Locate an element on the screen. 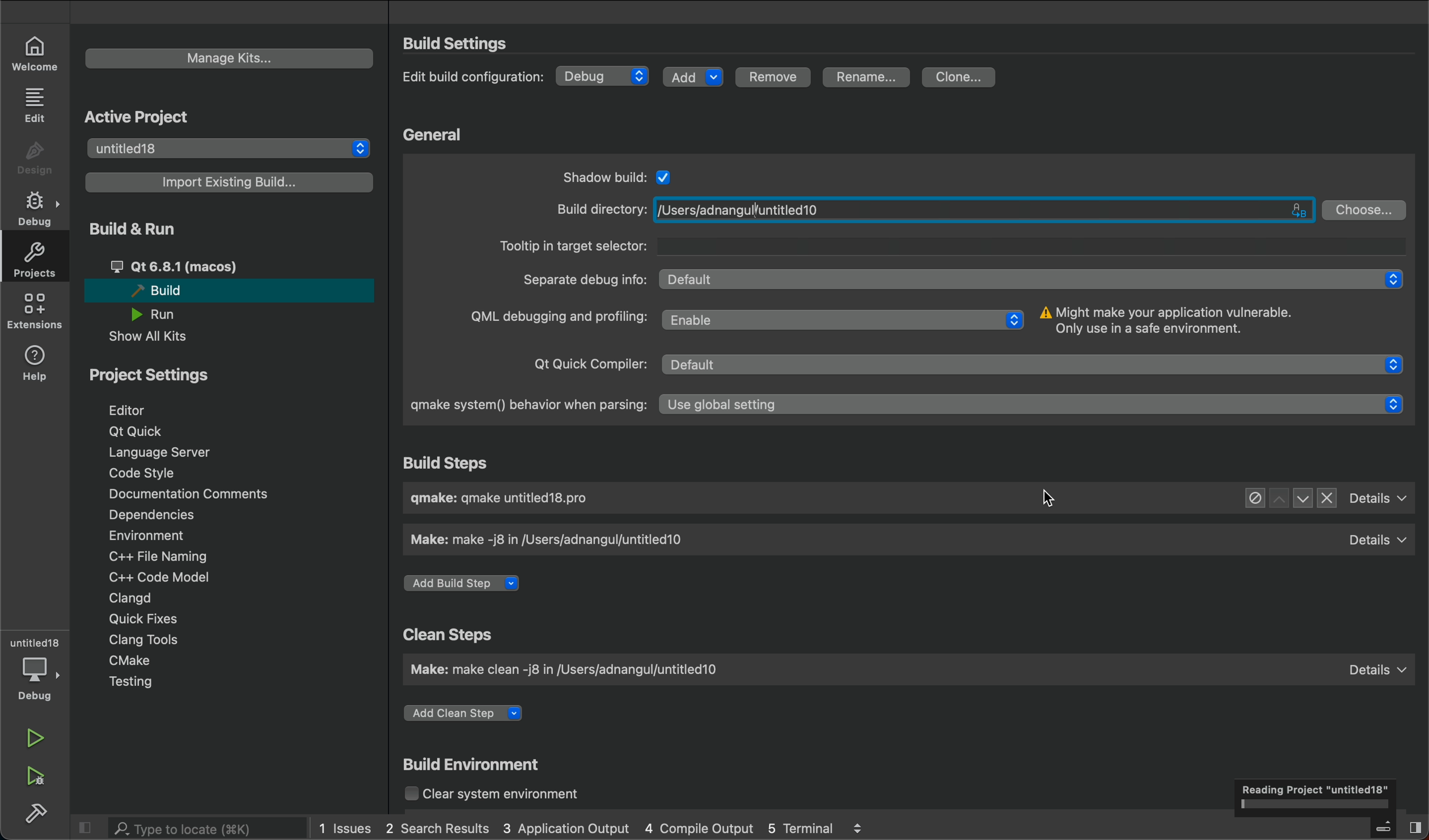  Default is located at coordinates (1037, 366).